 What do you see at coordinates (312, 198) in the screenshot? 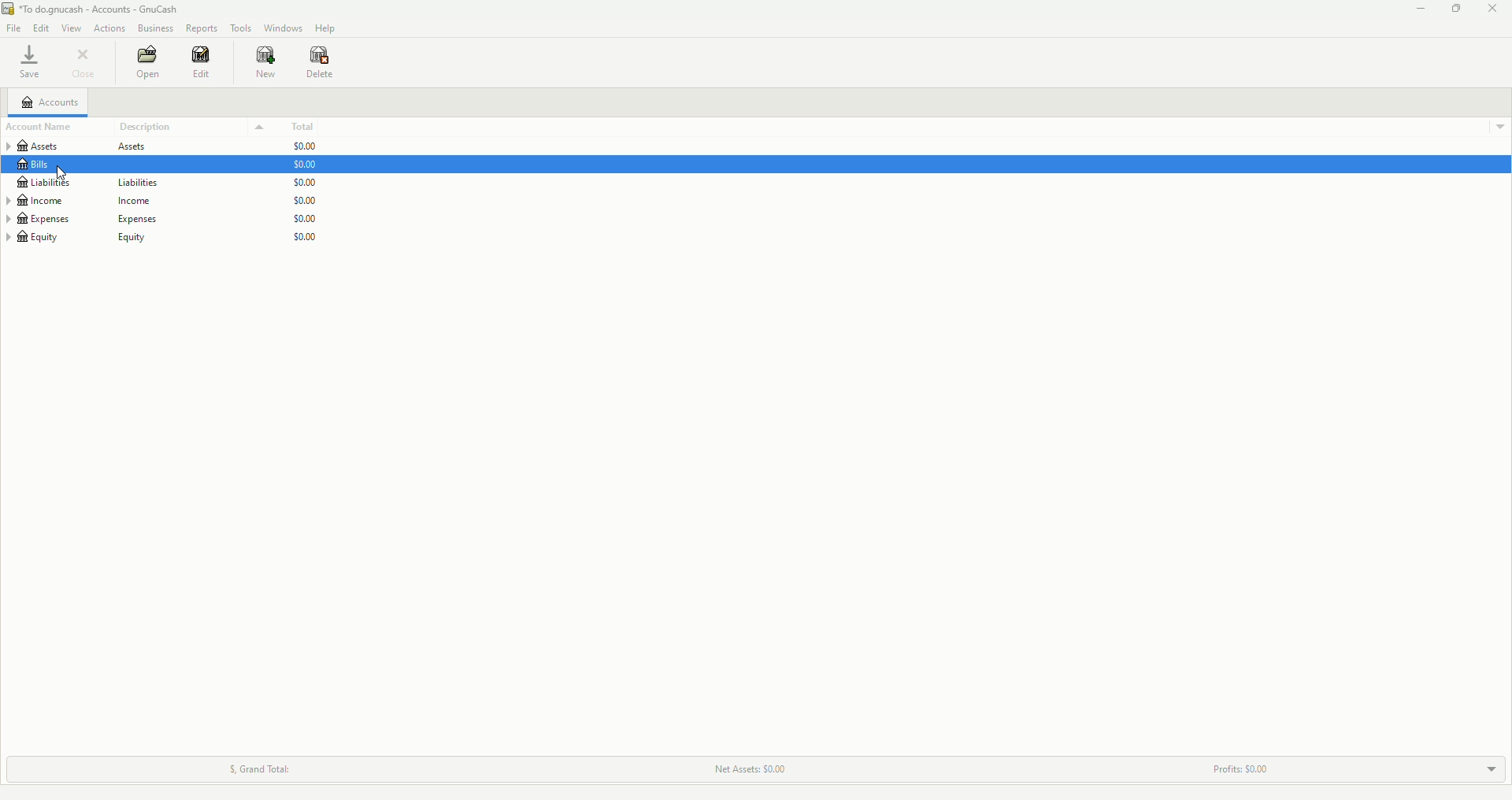
I see `$0` at bounding box center [312, 198].